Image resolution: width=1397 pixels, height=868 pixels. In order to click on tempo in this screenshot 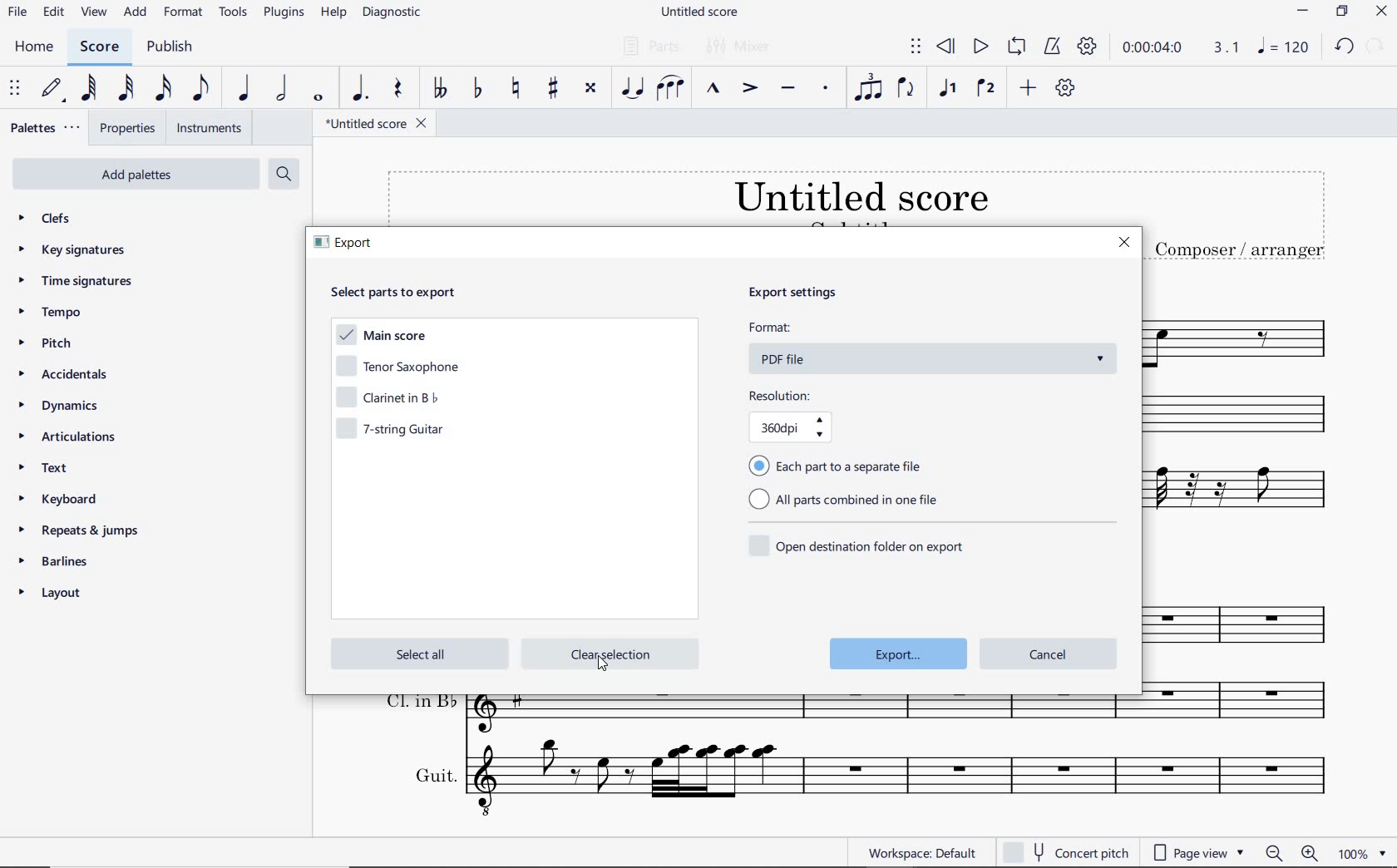, I will do `click(52, 313)`.